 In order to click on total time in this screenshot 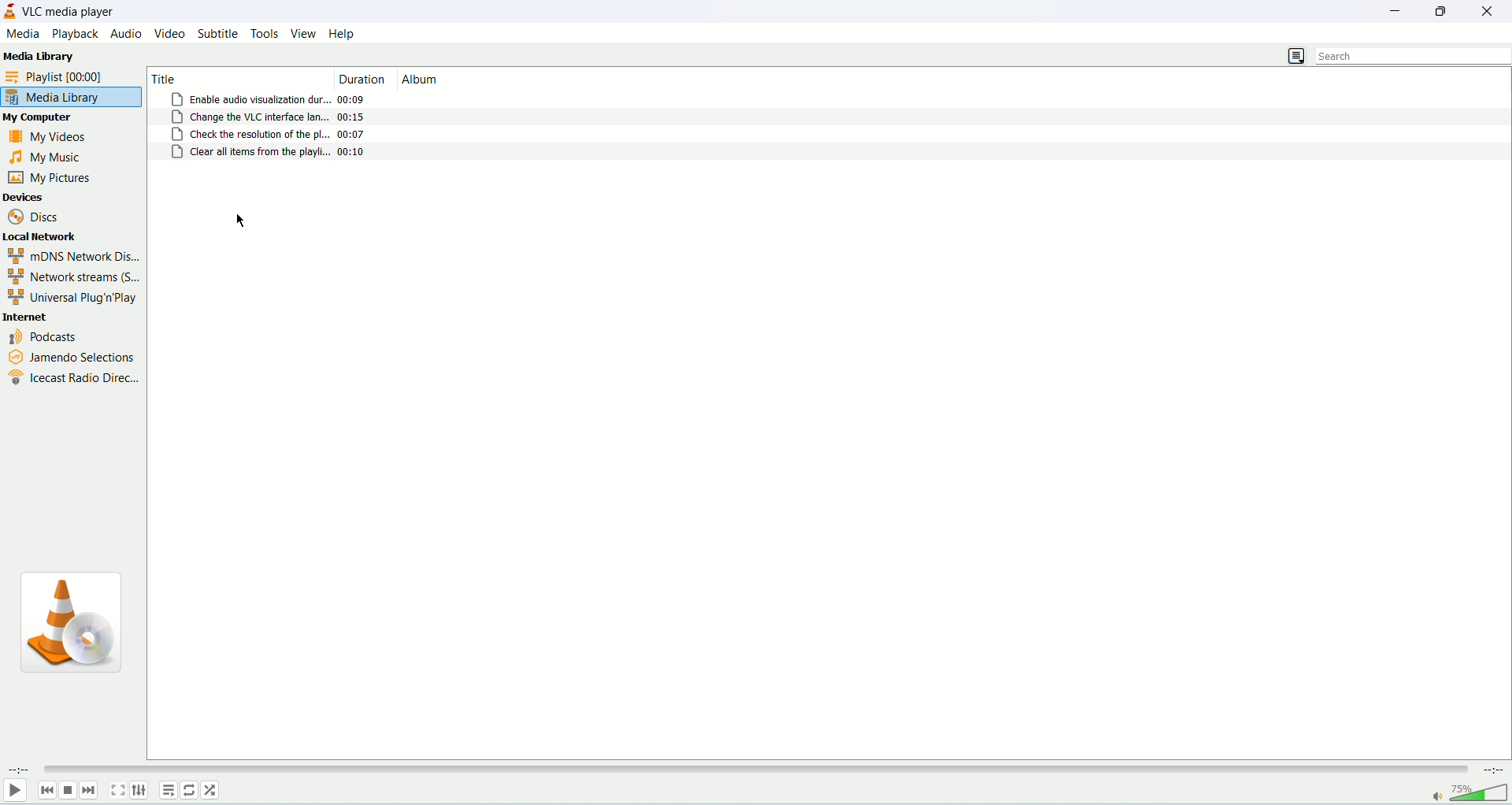, I will do `click(1494, 768)`.